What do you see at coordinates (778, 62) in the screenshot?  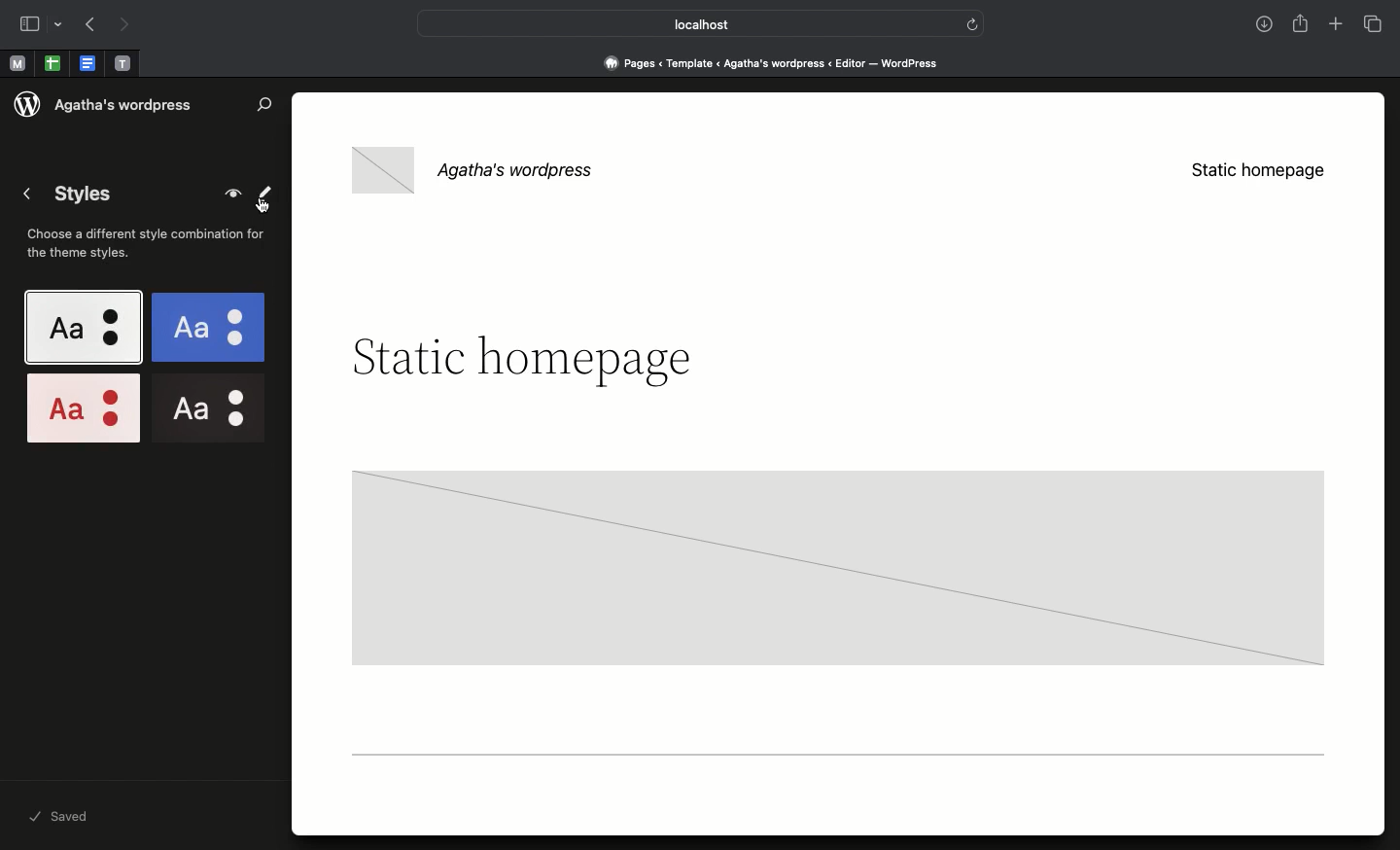 I see `Pages < Template <Agatha's wordpress < editor - wordpress` at bounding box center [778, 62].